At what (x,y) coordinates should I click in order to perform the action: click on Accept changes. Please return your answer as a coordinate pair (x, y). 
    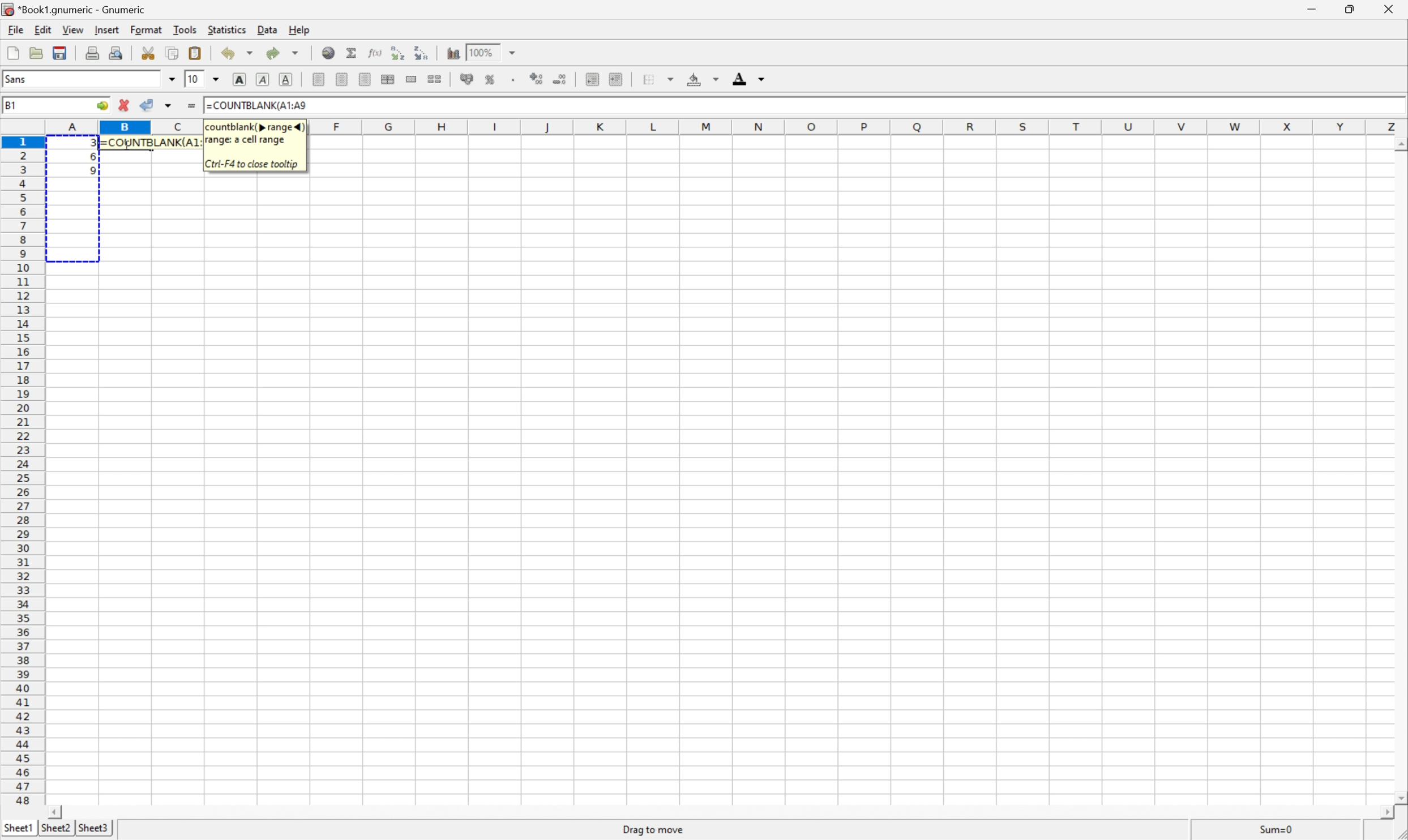
    Looking at the image, I should click on (148, 104).